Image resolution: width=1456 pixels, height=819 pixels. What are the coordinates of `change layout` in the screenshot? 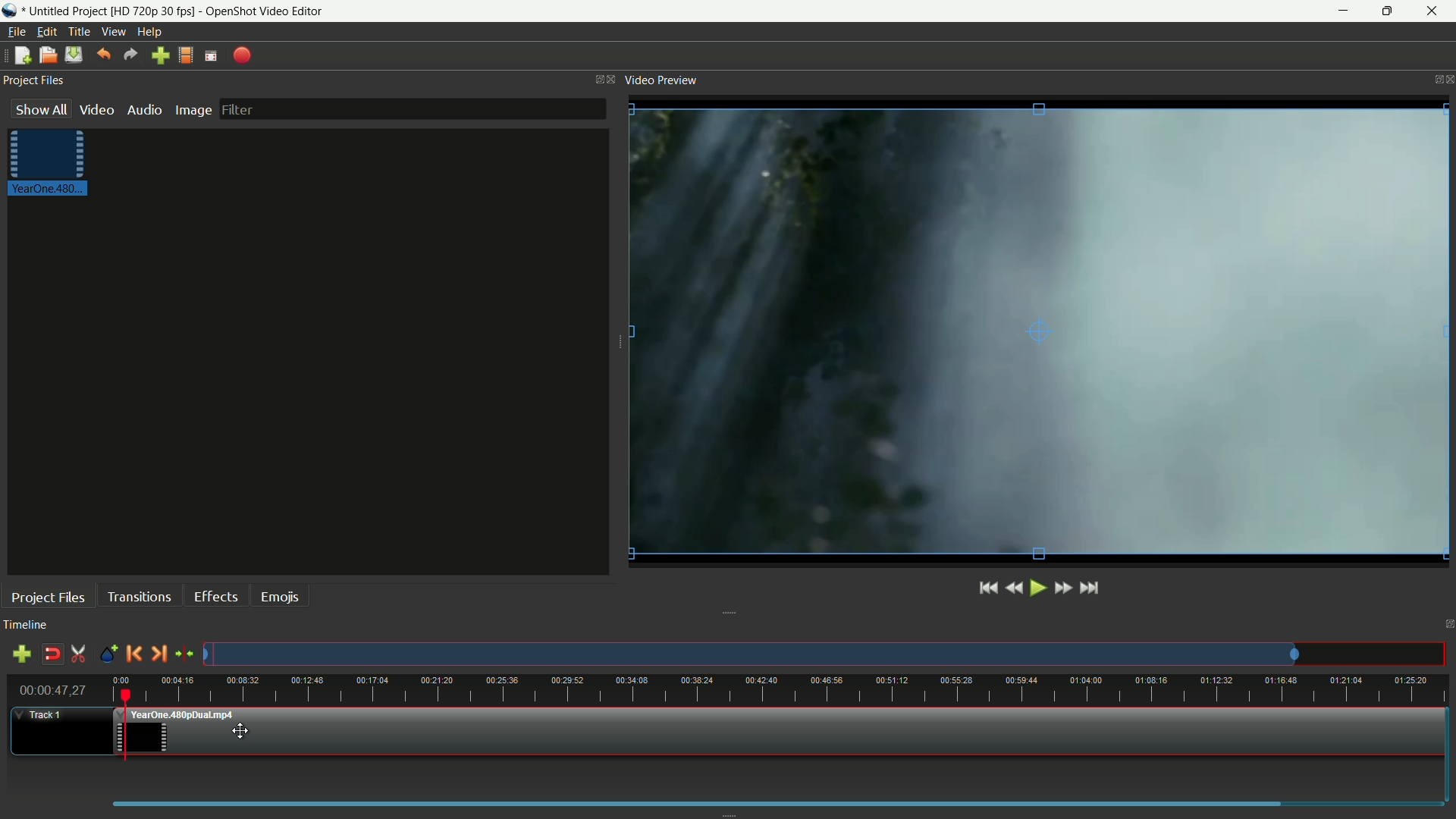 It's located at (595, 79).